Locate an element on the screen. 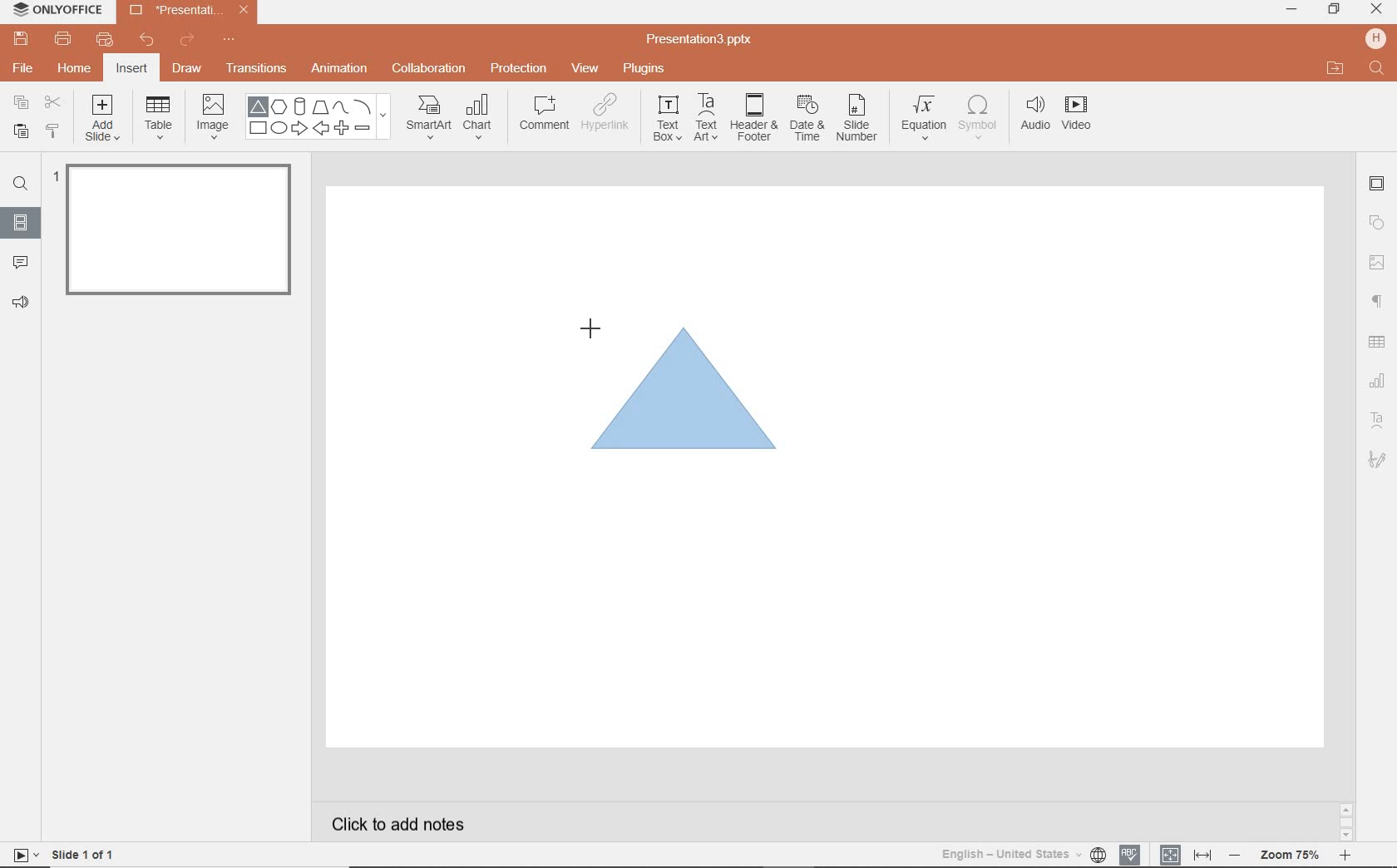  TEXT ART is located at coordinates (704, 119).